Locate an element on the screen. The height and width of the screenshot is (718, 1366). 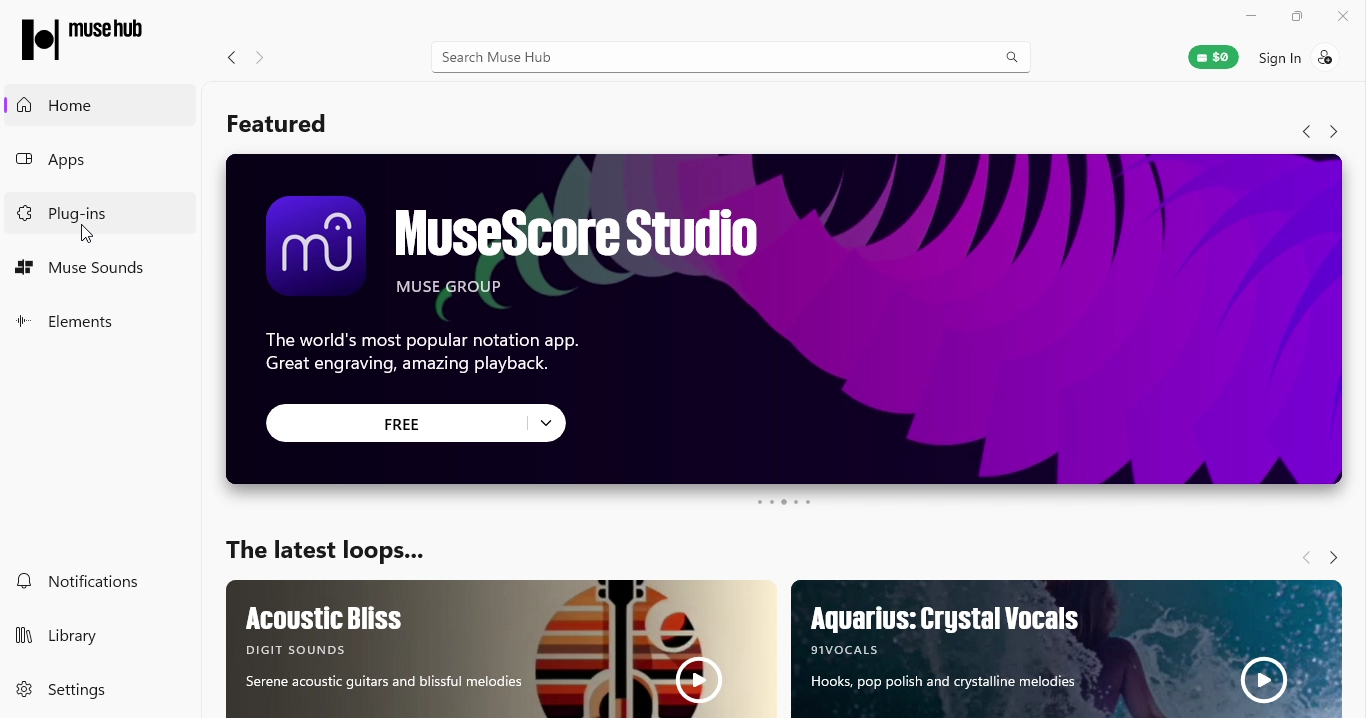
Sign in is located at coordinates (1307, 61).